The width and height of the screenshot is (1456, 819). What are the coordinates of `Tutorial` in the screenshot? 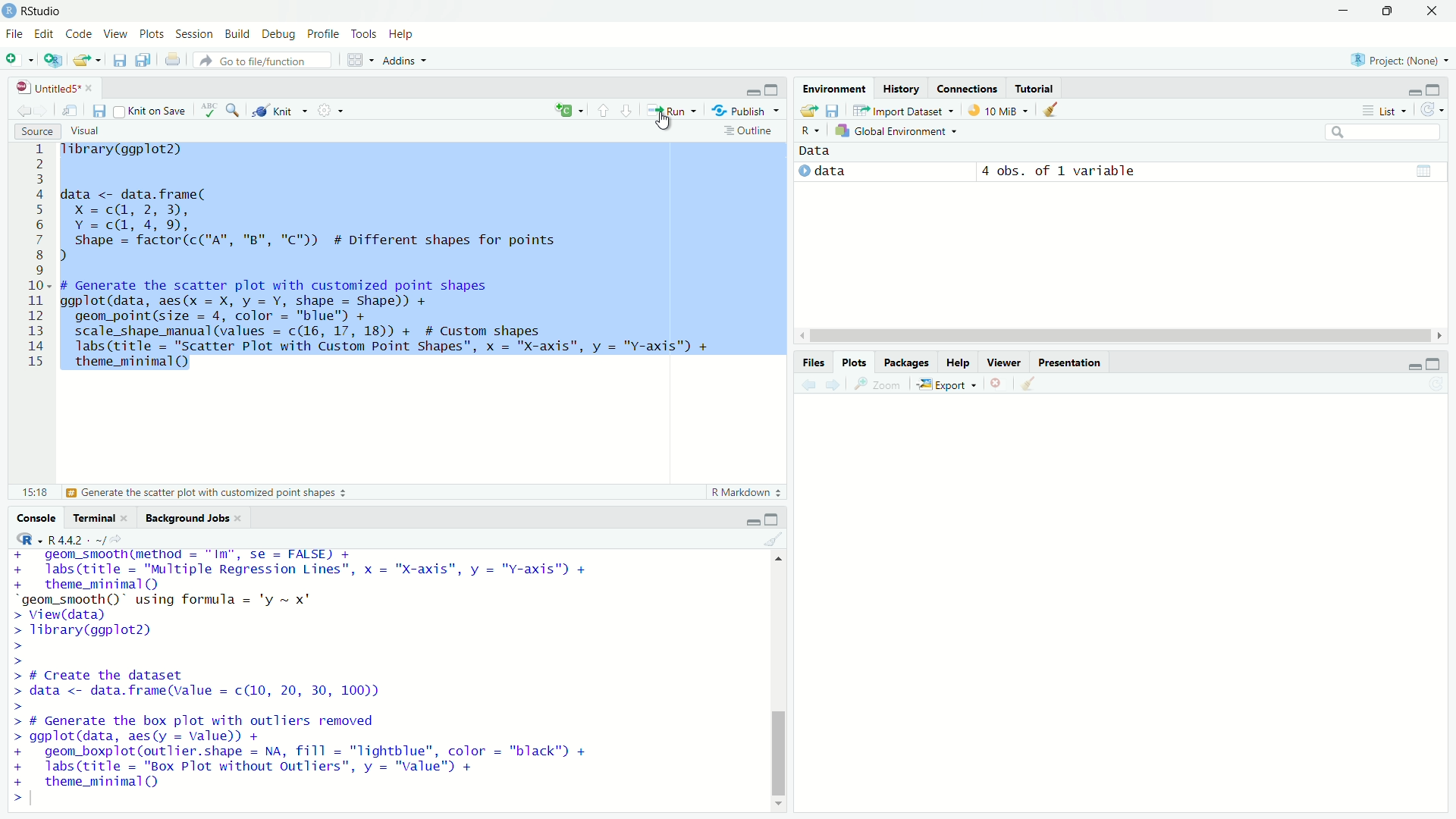 It's located at (1034, 87).